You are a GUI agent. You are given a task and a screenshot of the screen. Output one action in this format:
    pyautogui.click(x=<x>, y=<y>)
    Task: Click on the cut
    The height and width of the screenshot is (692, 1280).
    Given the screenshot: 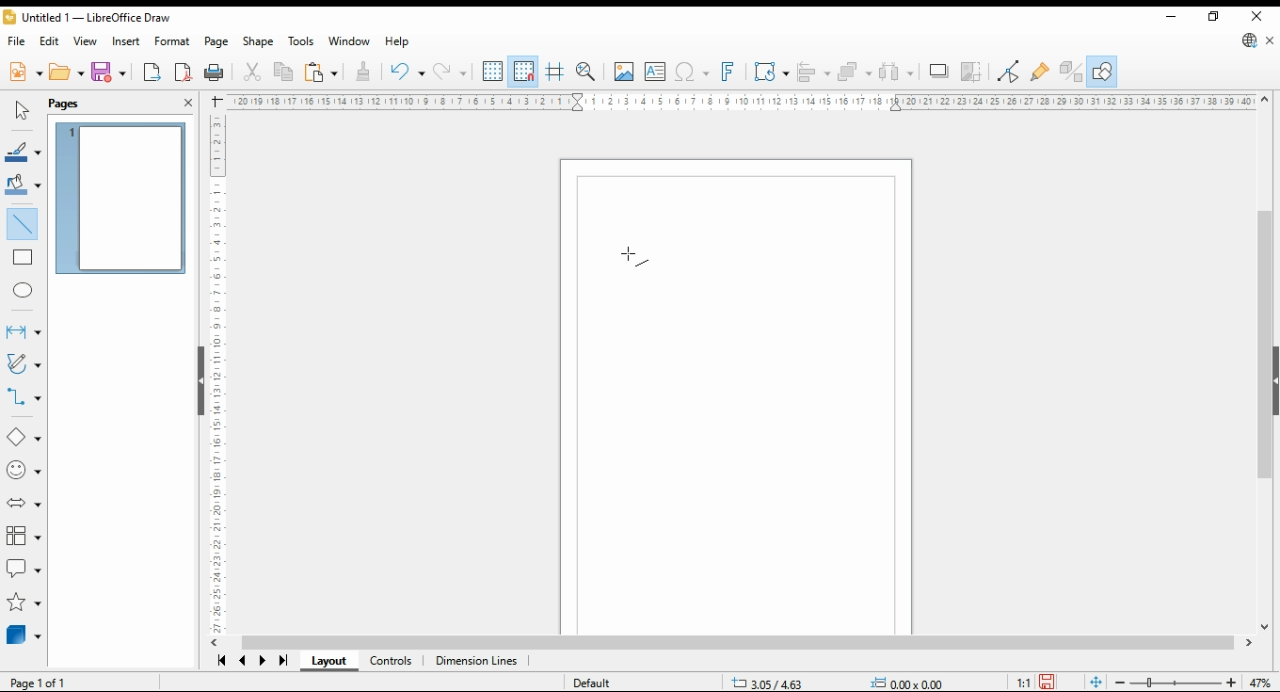 What is the action you would take?
    pyautogui.click(x=254, y=72)
    